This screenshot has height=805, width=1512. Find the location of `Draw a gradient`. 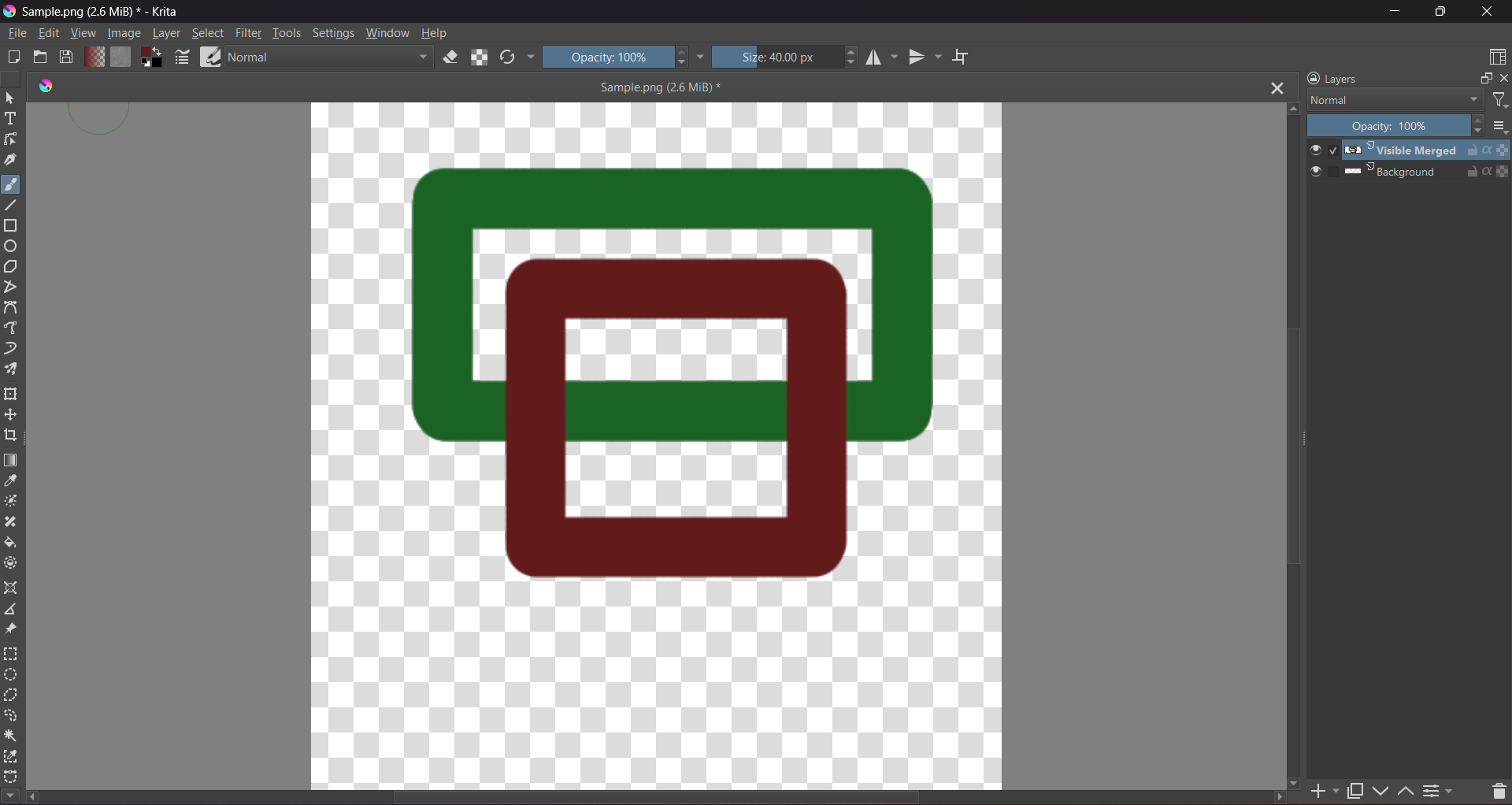

Draw a gradient is located at coordinates (12, 459).